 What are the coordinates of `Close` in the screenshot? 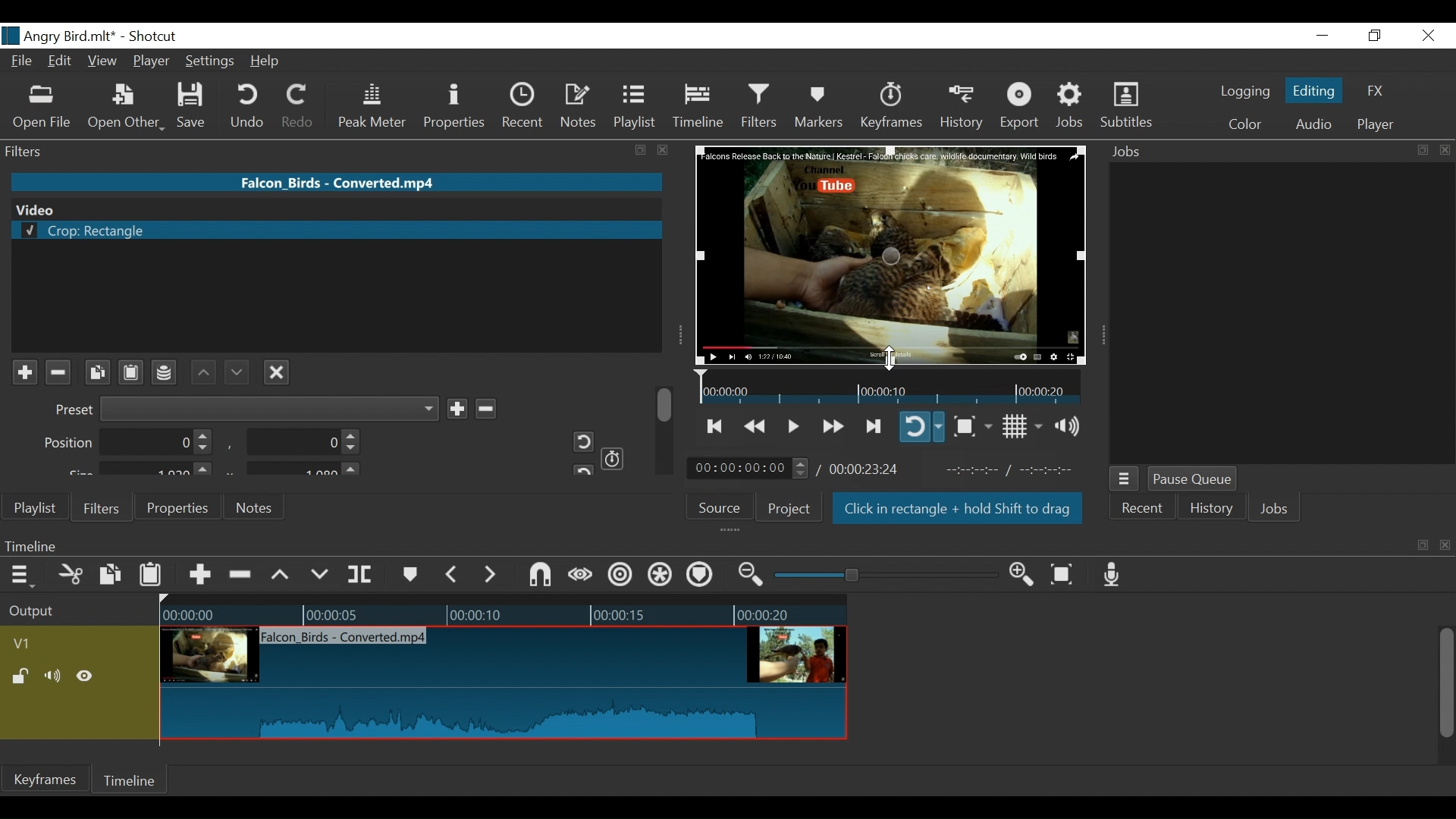 It's located at (1426, 36).